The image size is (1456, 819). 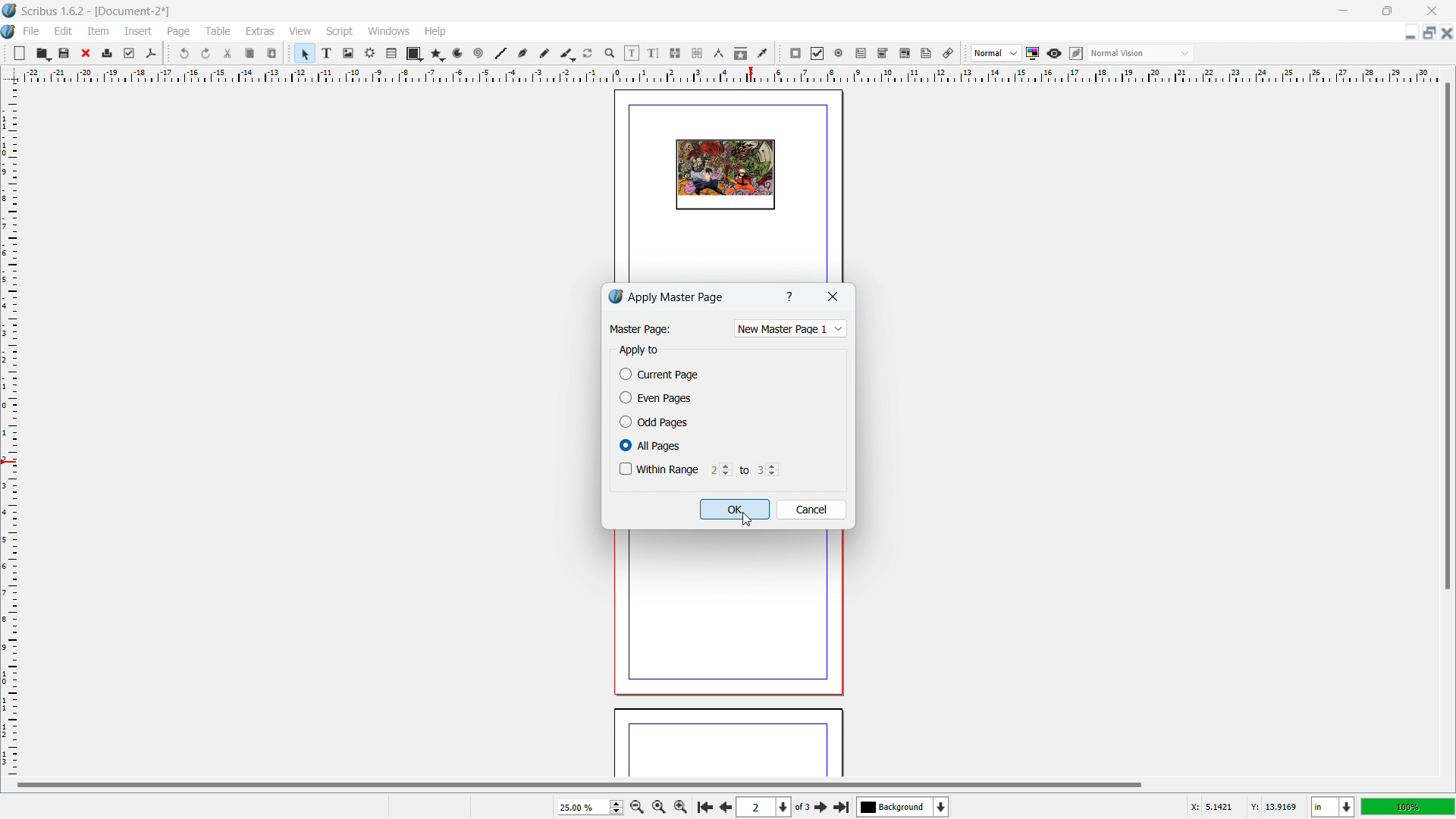 What do you see at coordinates (460, 54) in the screenshot?
I see `curves` at bounding box center [460, 54].